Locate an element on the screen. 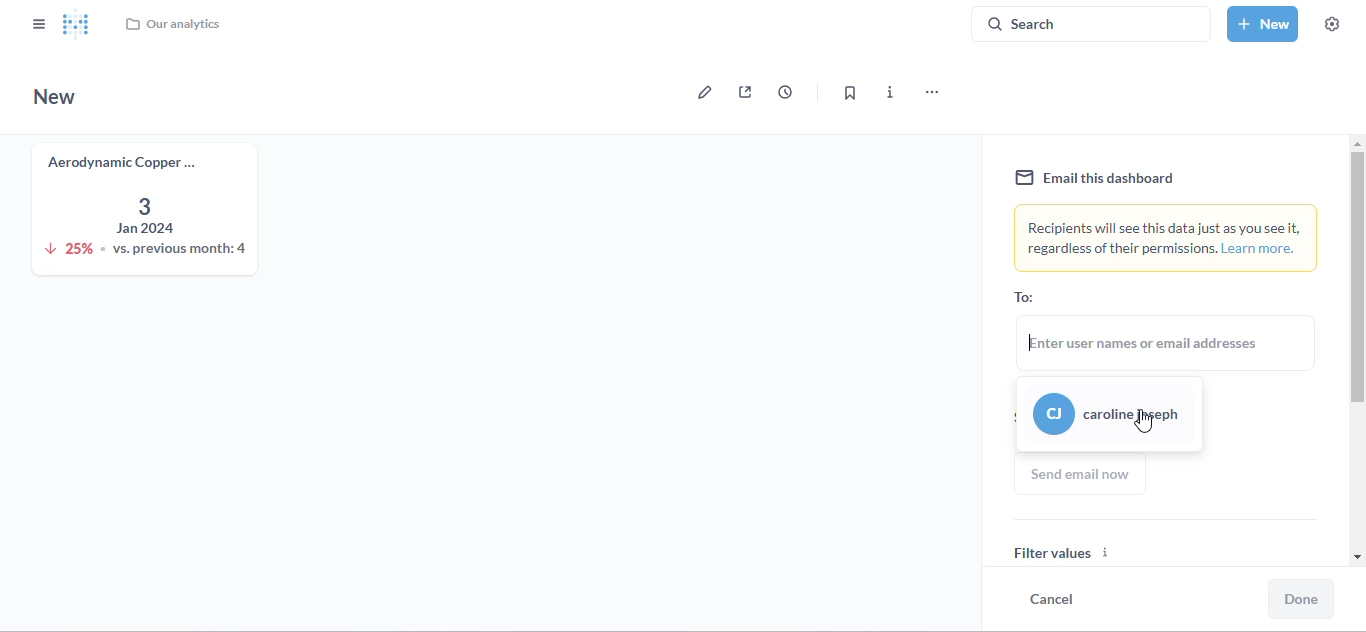 This screenshot has height=632, width=1366. scrollbar is located at coordinates (1356, 347).